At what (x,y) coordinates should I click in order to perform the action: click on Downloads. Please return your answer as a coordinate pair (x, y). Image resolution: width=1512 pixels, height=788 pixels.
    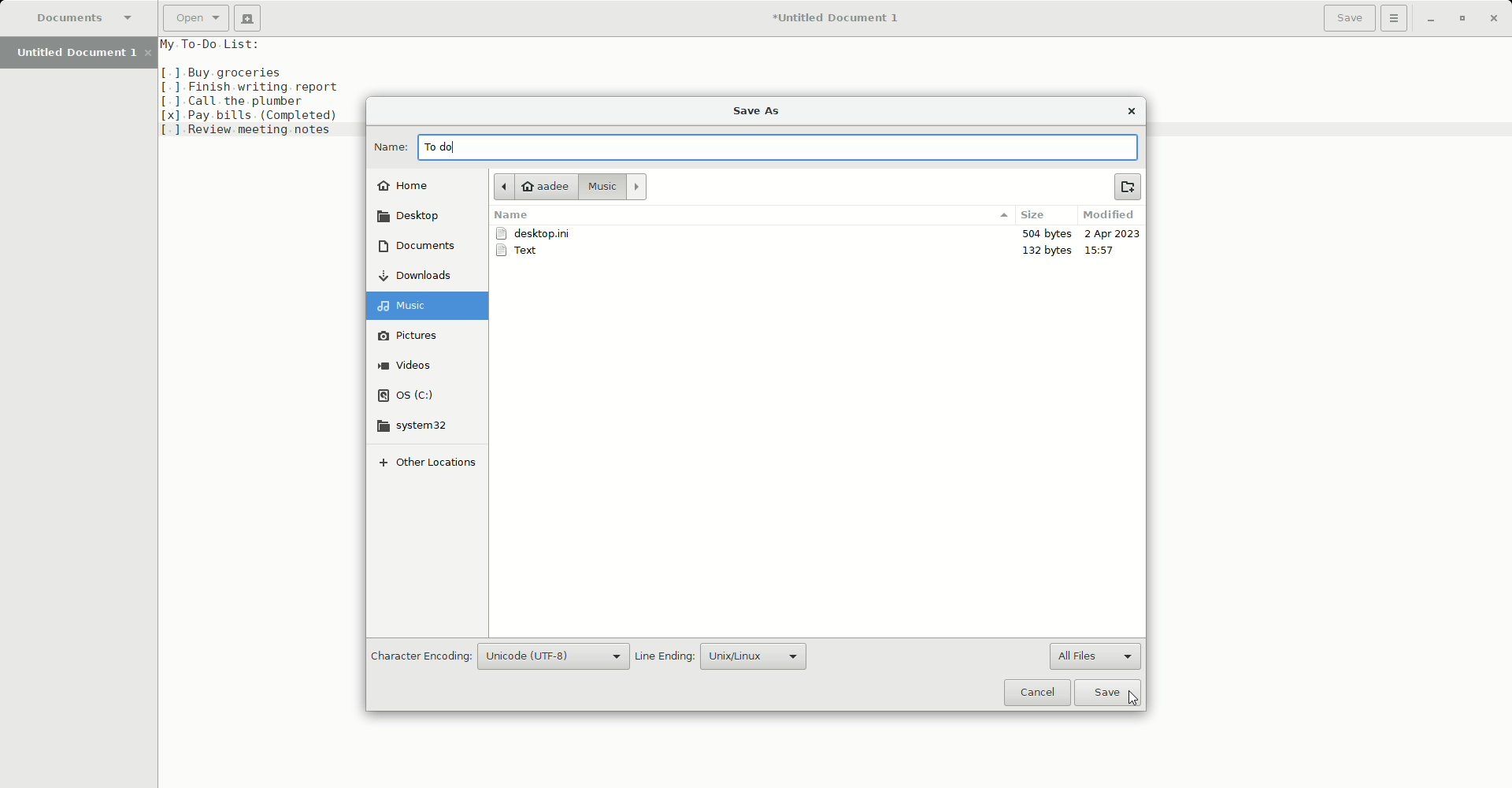
    Looking at the image, I should click on (424, 275).